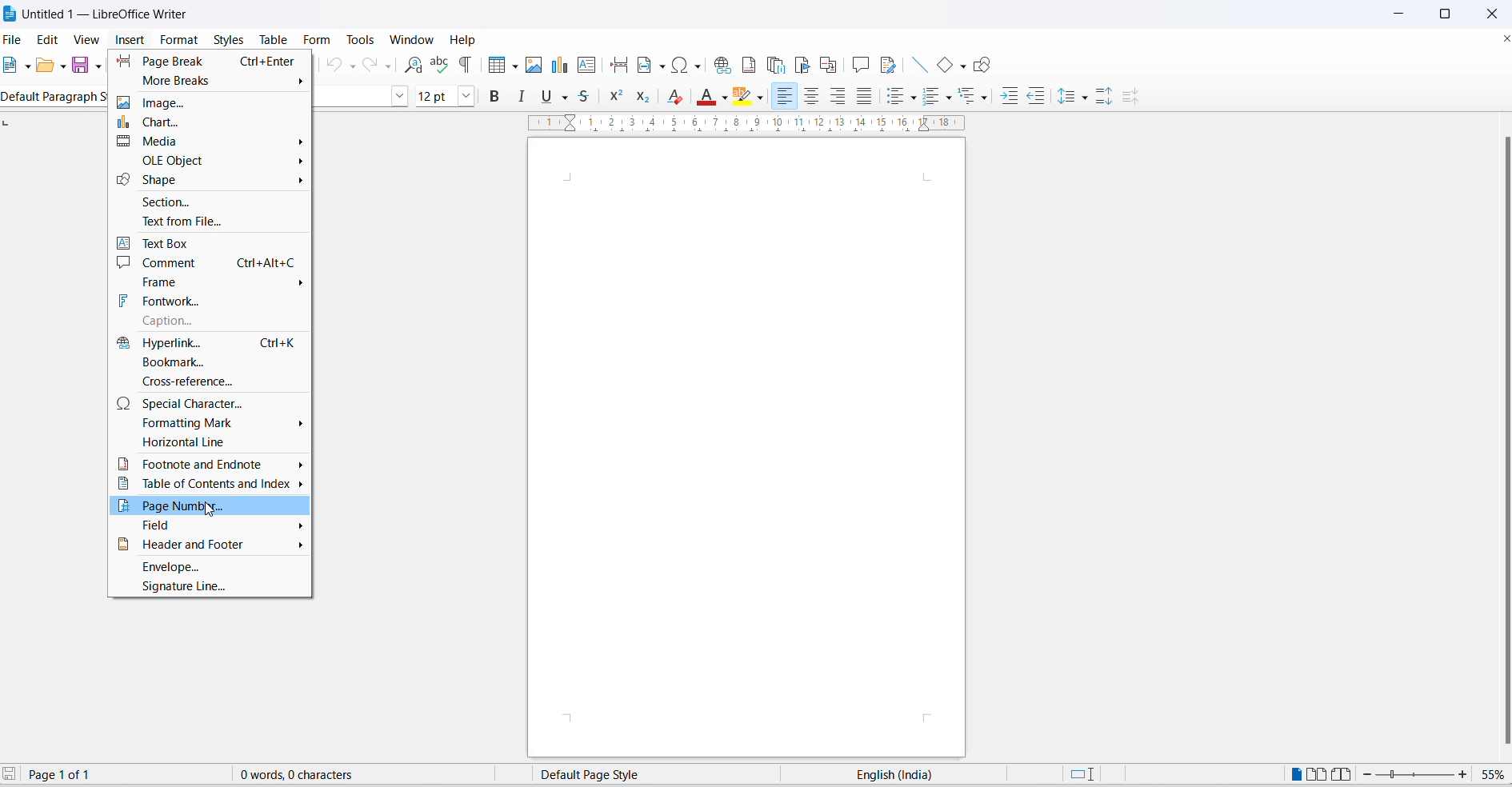  I want to click on open options, so click(63, 67).